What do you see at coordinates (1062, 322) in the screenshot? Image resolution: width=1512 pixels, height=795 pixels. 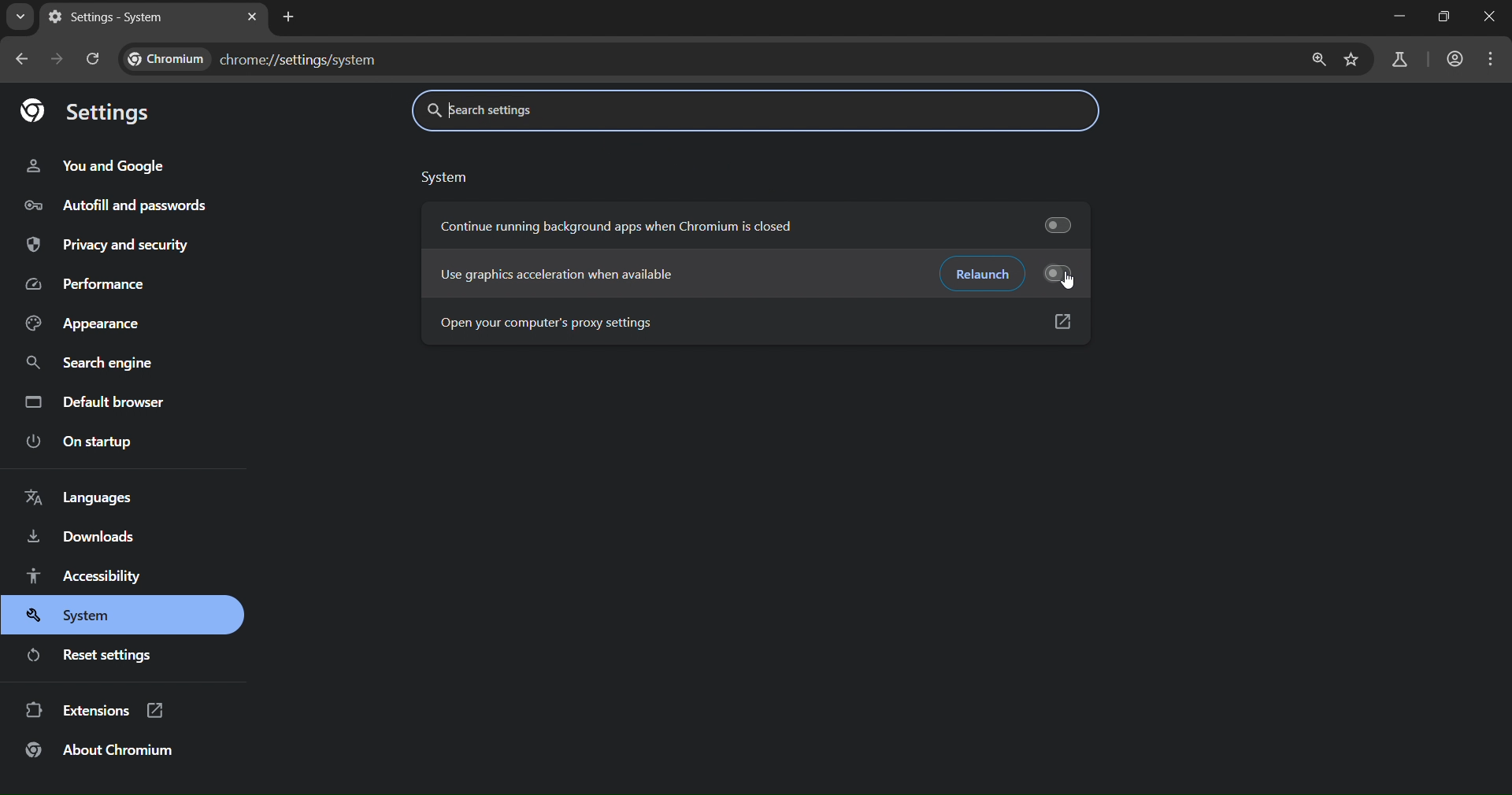 I see `Open link in new tab` at bounding box center [1062, 322].